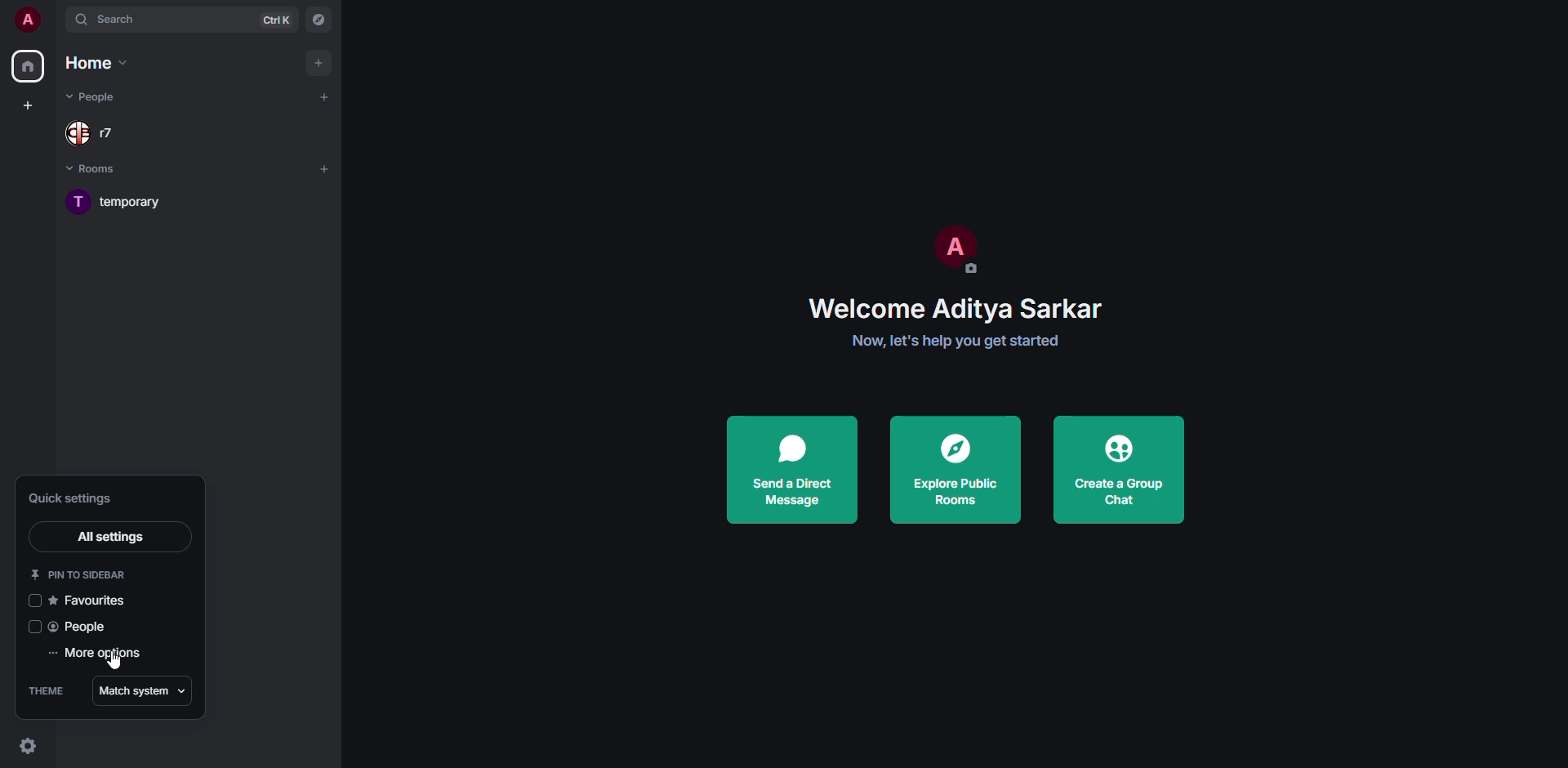 The height and width of the screenshot is (768, 1568). Describe the element at coordinates (94, 599) in the screenshot. I see `favorites` at that location.